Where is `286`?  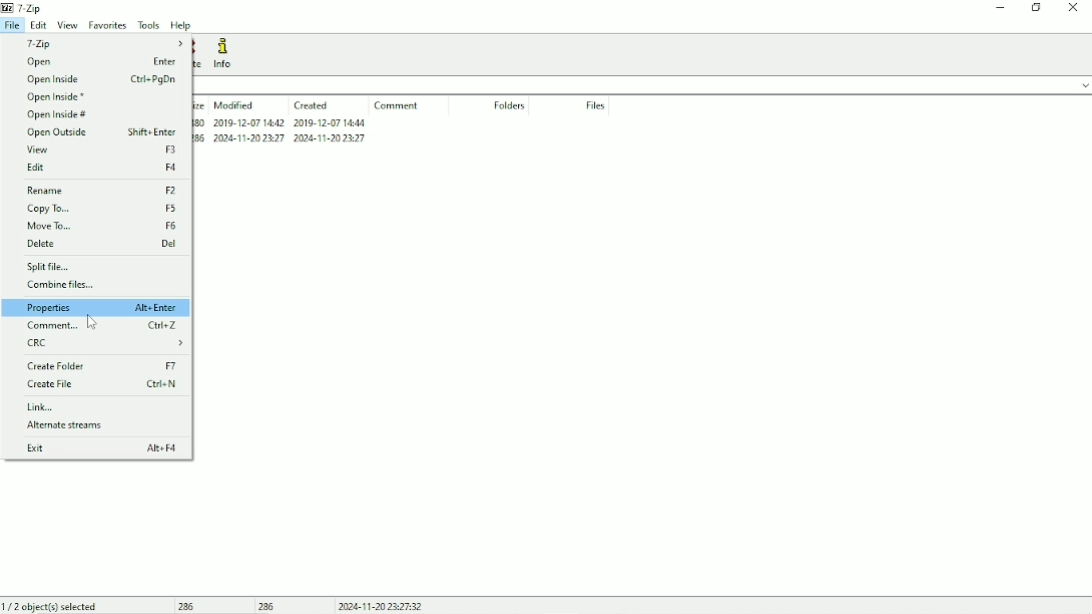 286 is located at coordinates (200, 138).